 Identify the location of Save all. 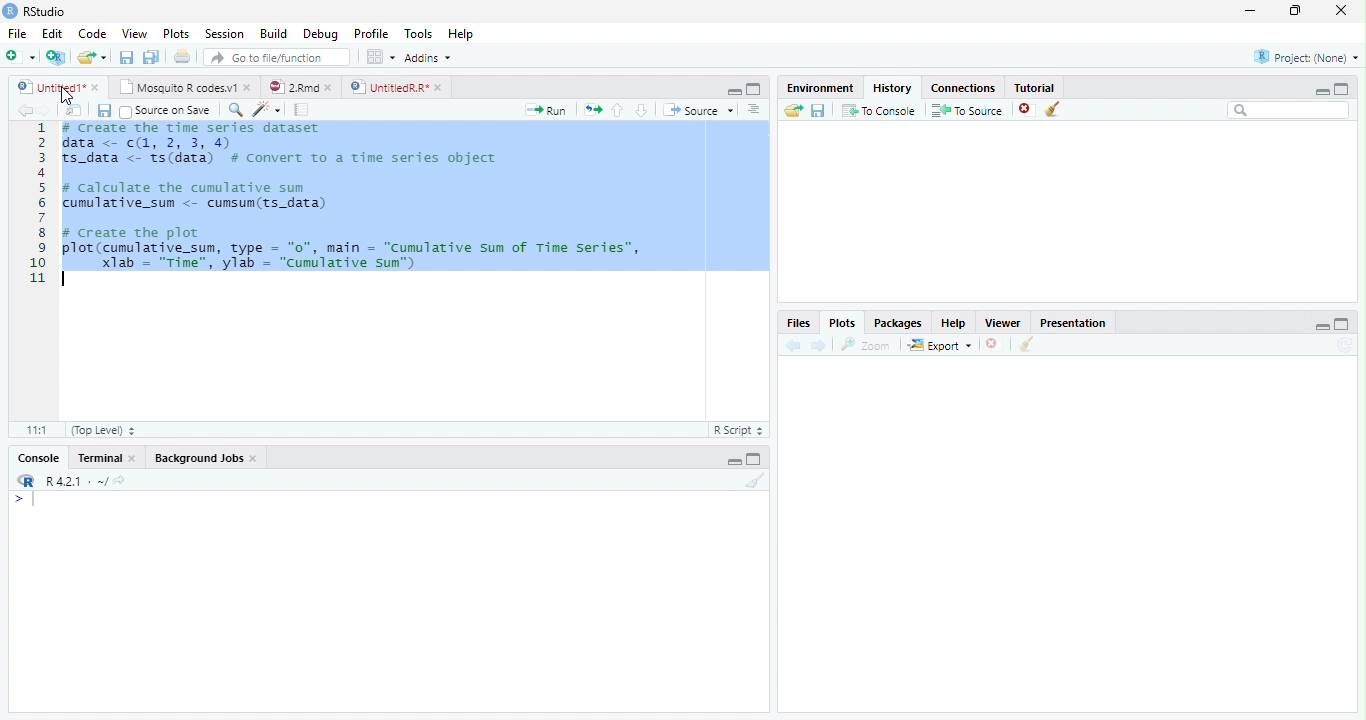
(150, 58).